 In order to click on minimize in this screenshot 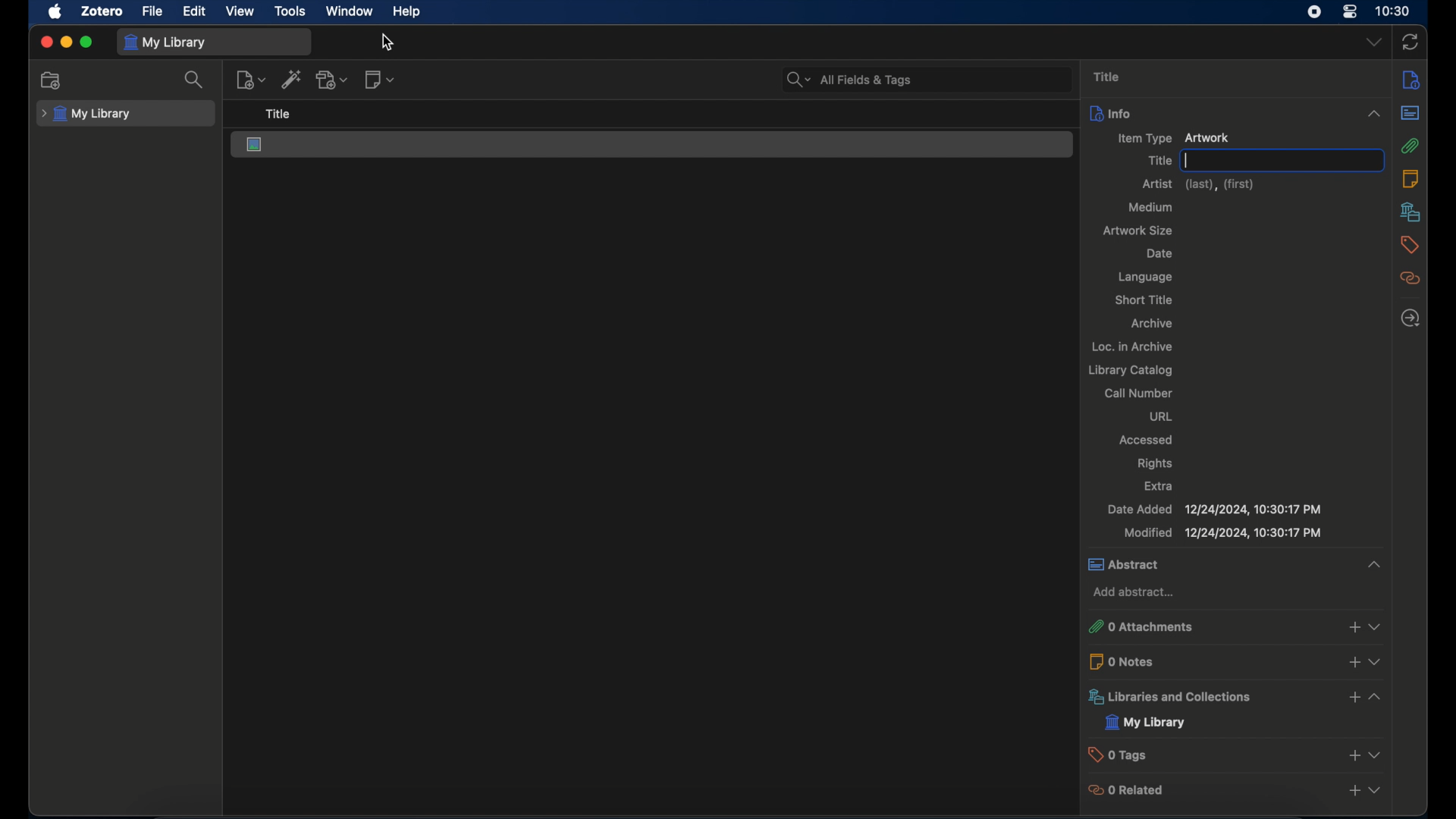, I will do `click(65, 42)`.